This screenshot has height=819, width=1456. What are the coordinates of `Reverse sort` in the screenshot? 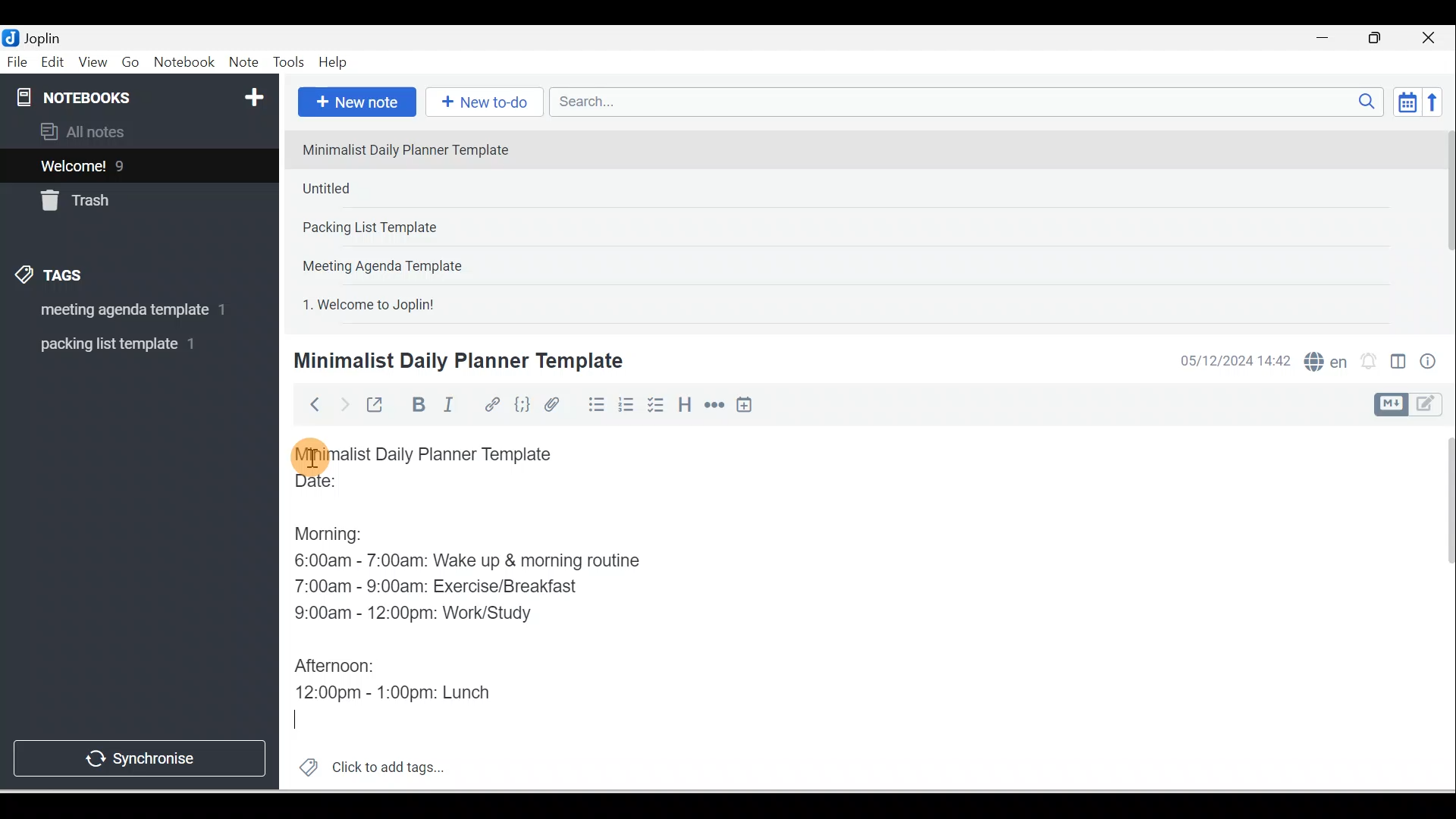 It's located at (1437, 102).